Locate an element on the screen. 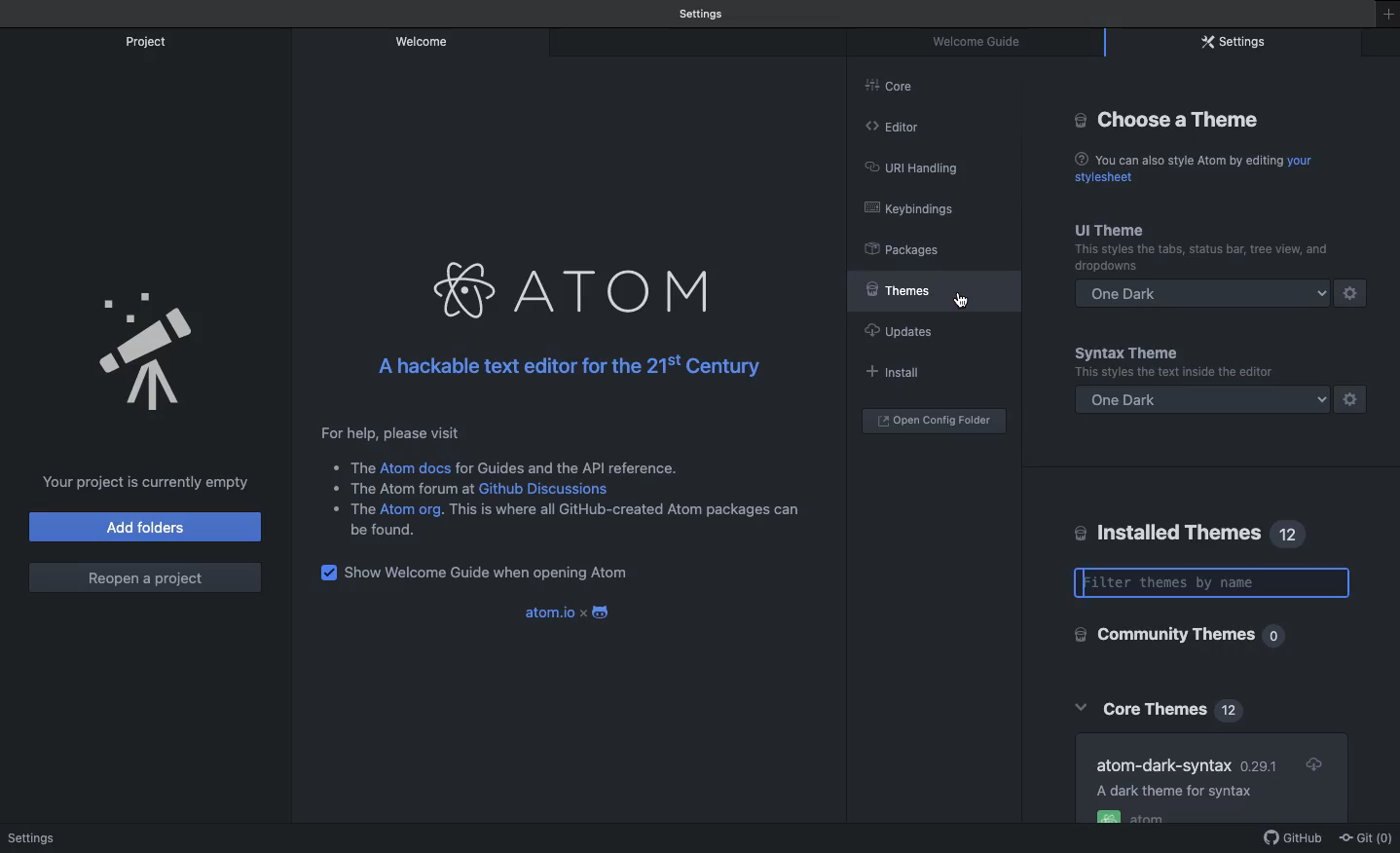  (5 Packages This styles the tabs, status bar, tree view,
dropdowns is located at coordinates (1215, 257).